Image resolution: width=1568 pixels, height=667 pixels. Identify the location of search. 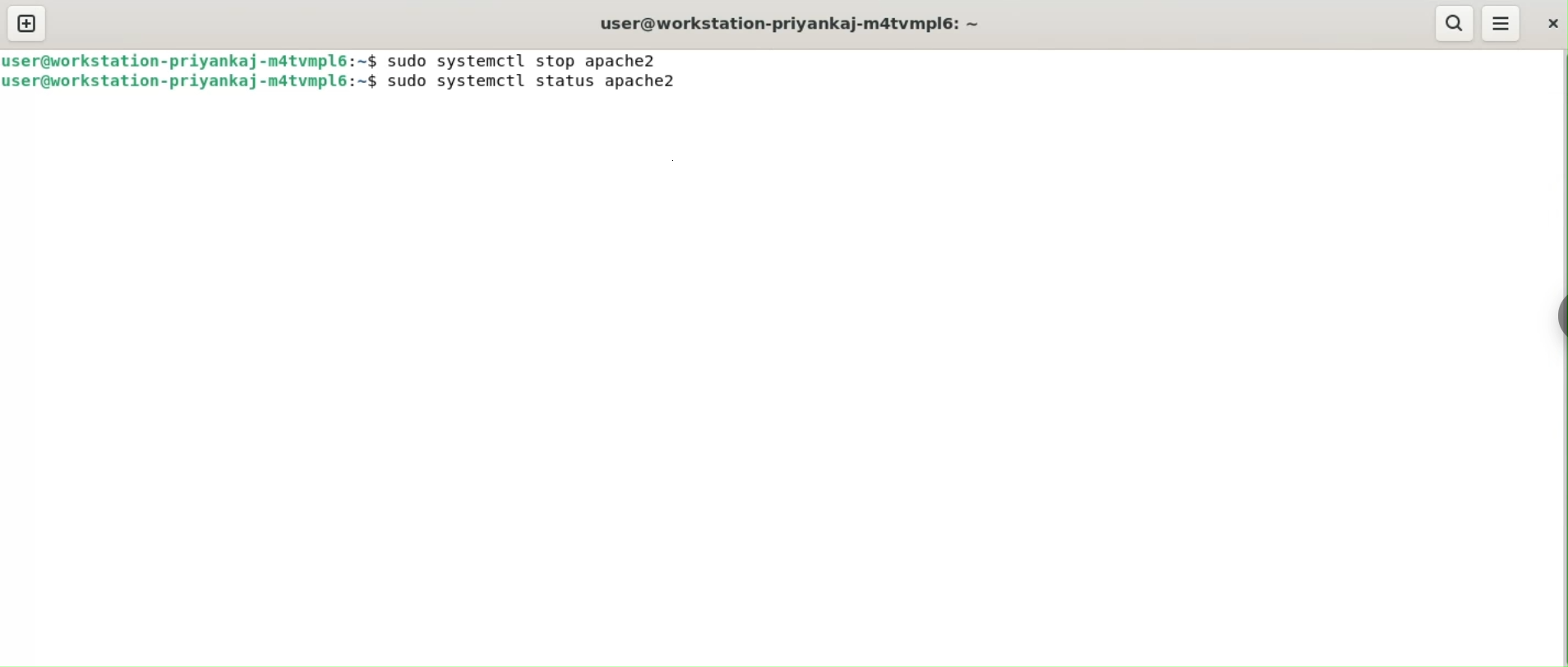
(1454, 23).